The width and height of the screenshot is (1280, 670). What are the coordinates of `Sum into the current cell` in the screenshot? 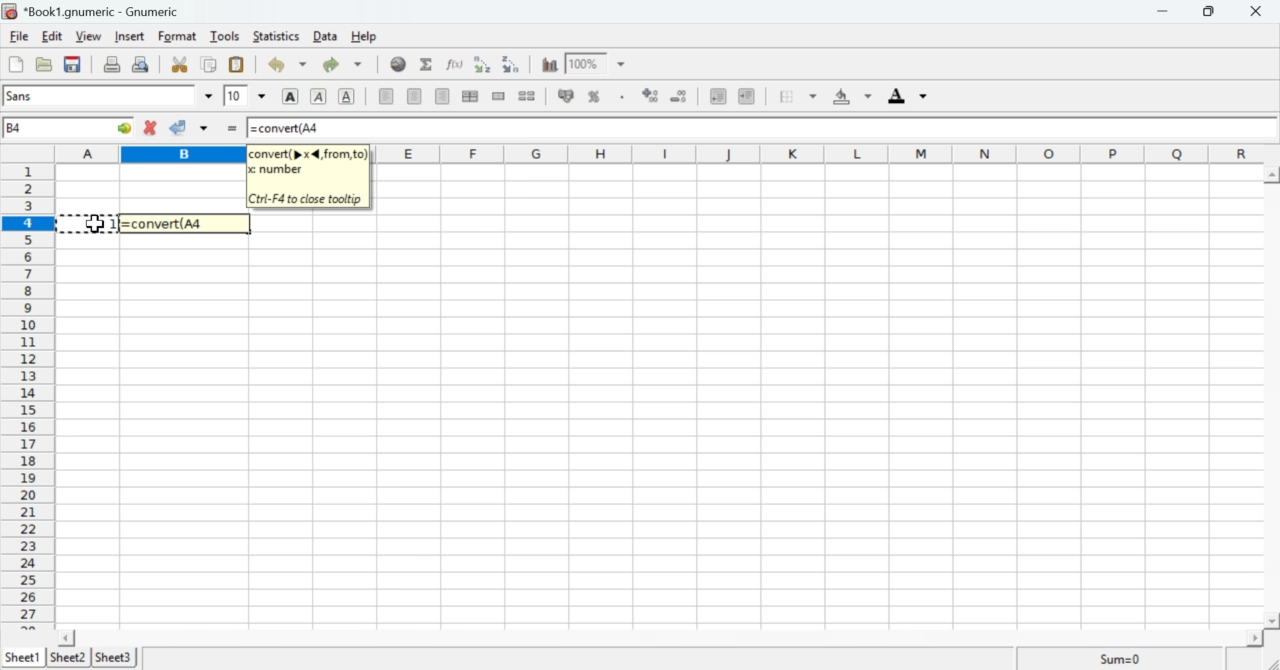 It's located at (429, 63).